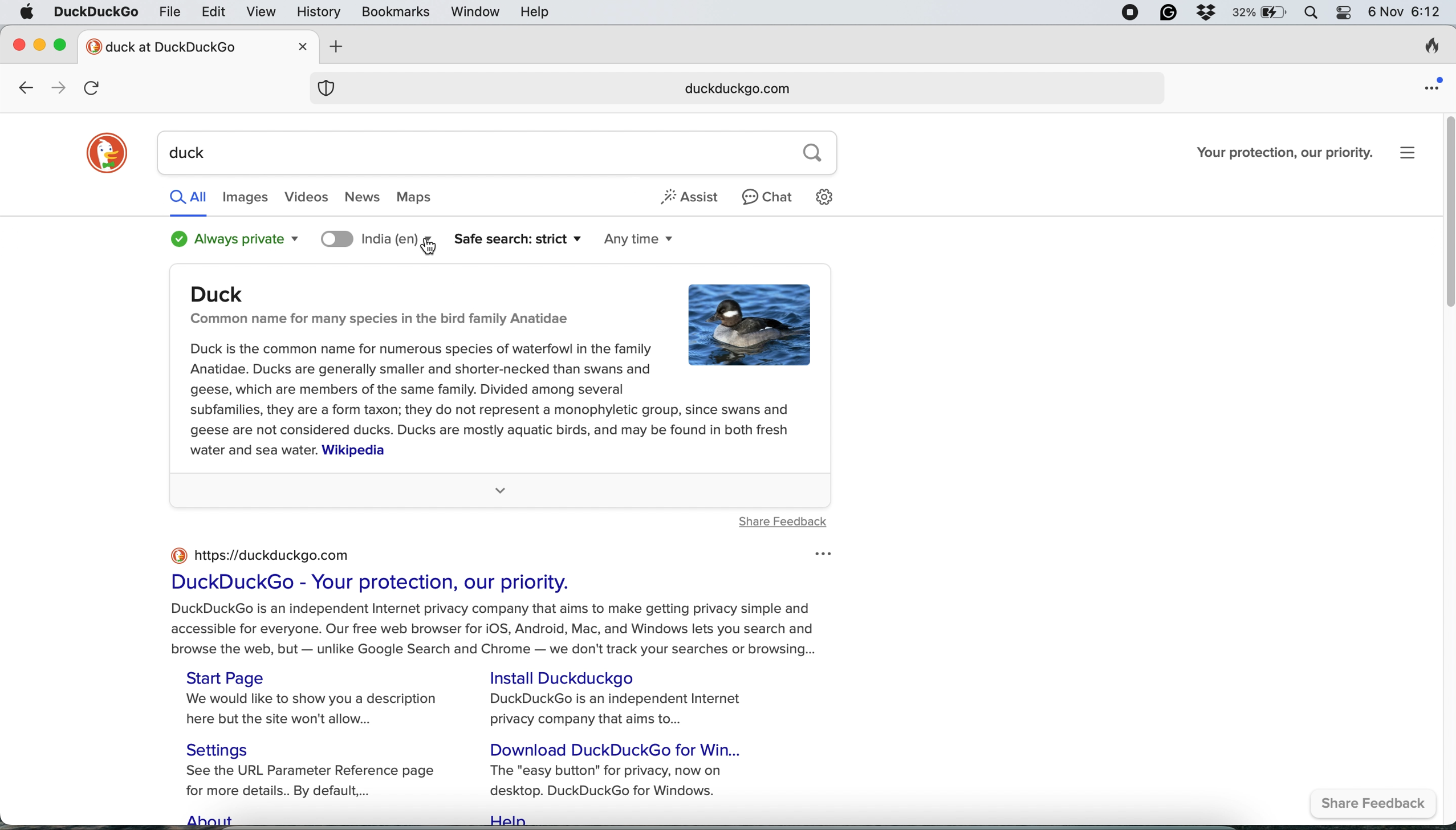  I want to click on Wikipedia, so click(354, 451).